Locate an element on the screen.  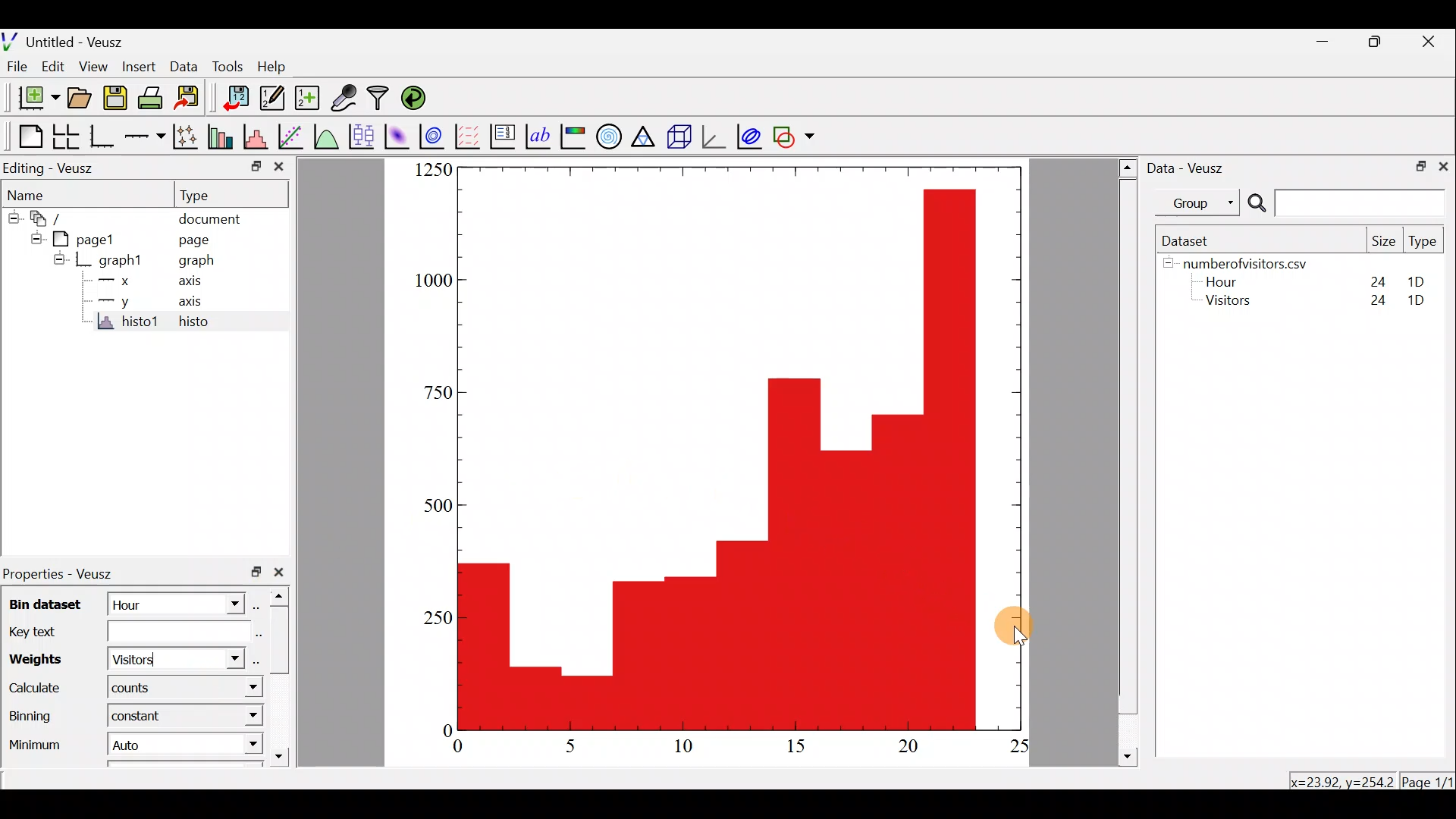
hide sub menu is located at coordinates (33, 239).